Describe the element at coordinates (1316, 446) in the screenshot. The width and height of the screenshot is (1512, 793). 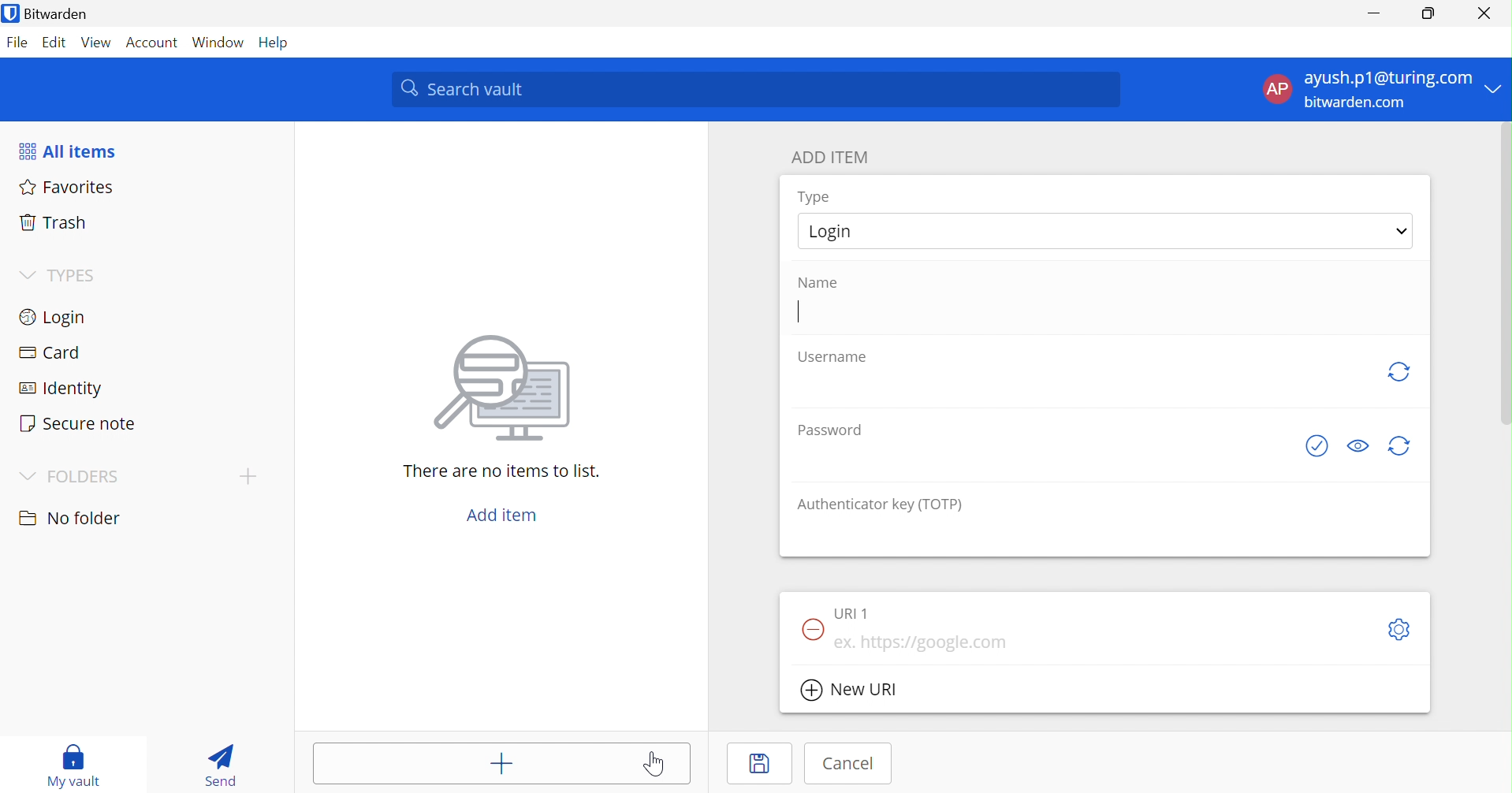
I see `Check if password as been exposed` at that location.